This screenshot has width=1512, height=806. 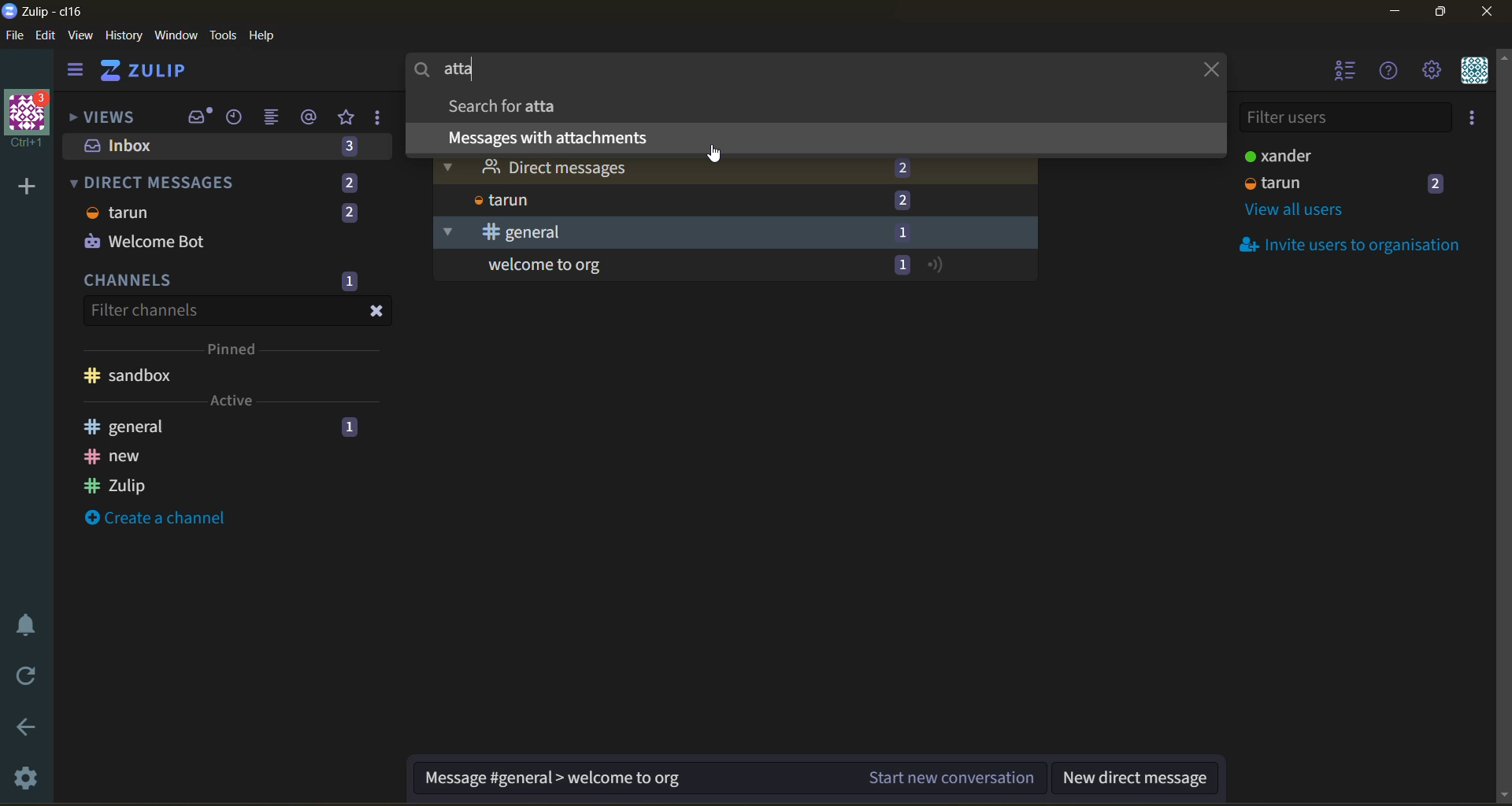 I want to click on enable do not disturb, so click(x=31, y=623).